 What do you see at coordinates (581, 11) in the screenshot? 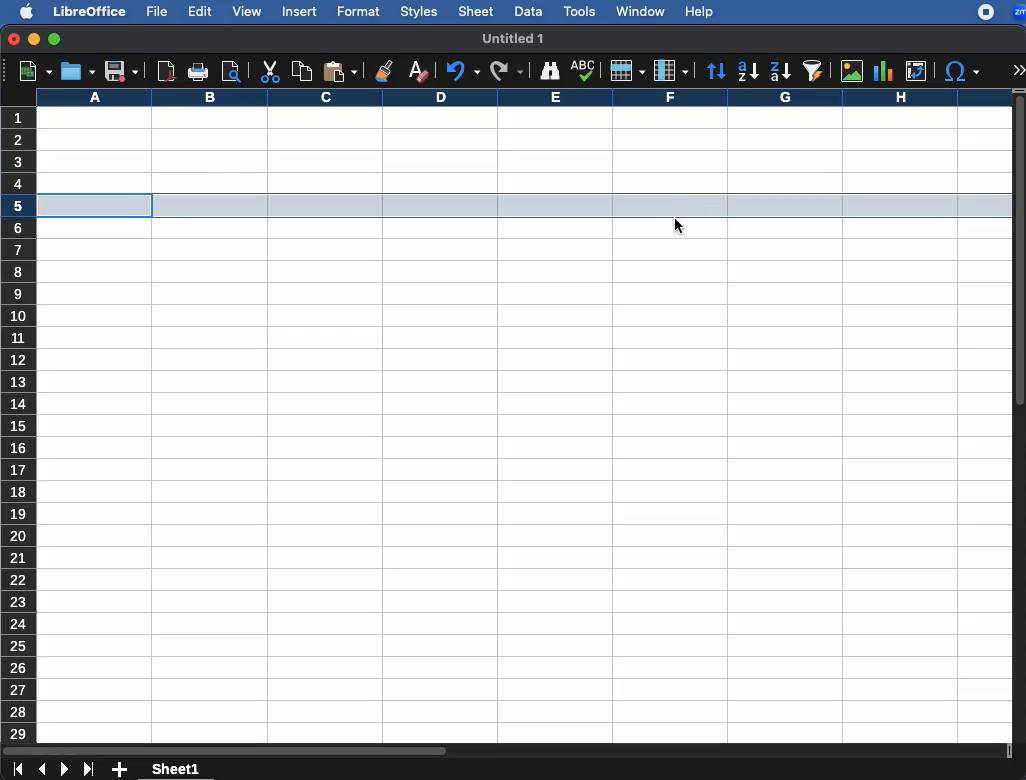
I see `tools` at bounding box center [581, 11].